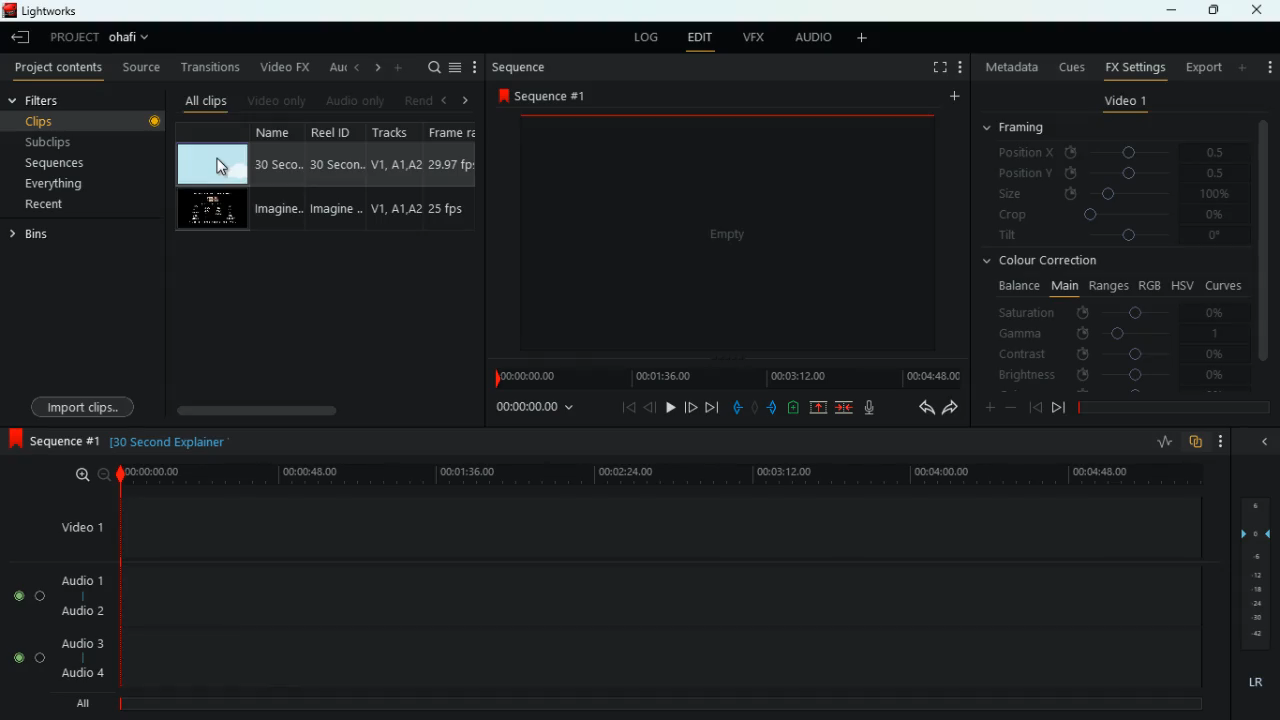 This screenshot has height=720, width=1280. Describe the element at coordinates (21, 37) in the screenshot. I see `leave` at that location.